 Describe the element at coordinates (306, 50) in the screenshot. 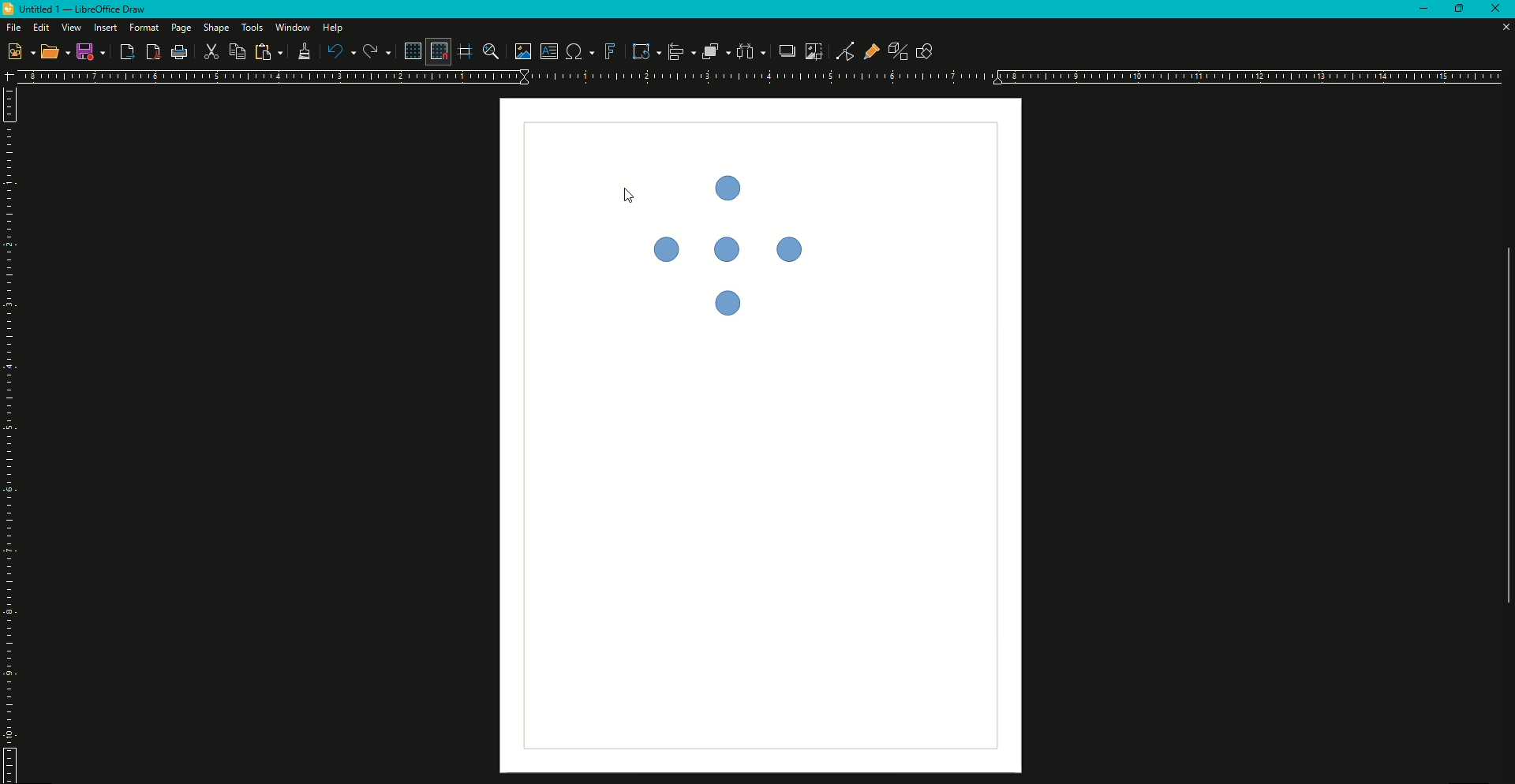

I see `Clone Formatting` at that location.